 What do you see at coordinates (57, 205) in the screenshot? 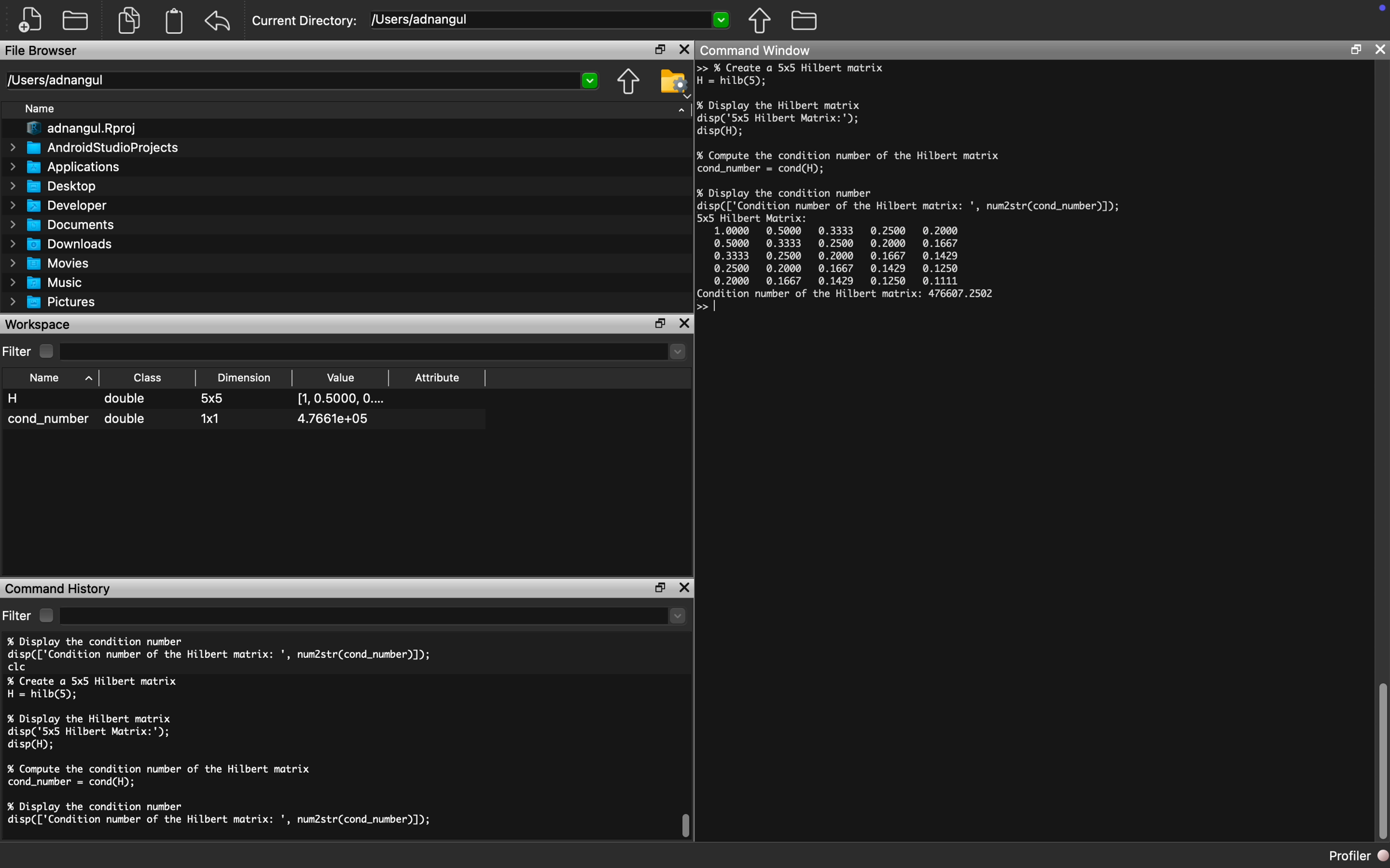
I see `Developer` at bounding box center [57, 205].